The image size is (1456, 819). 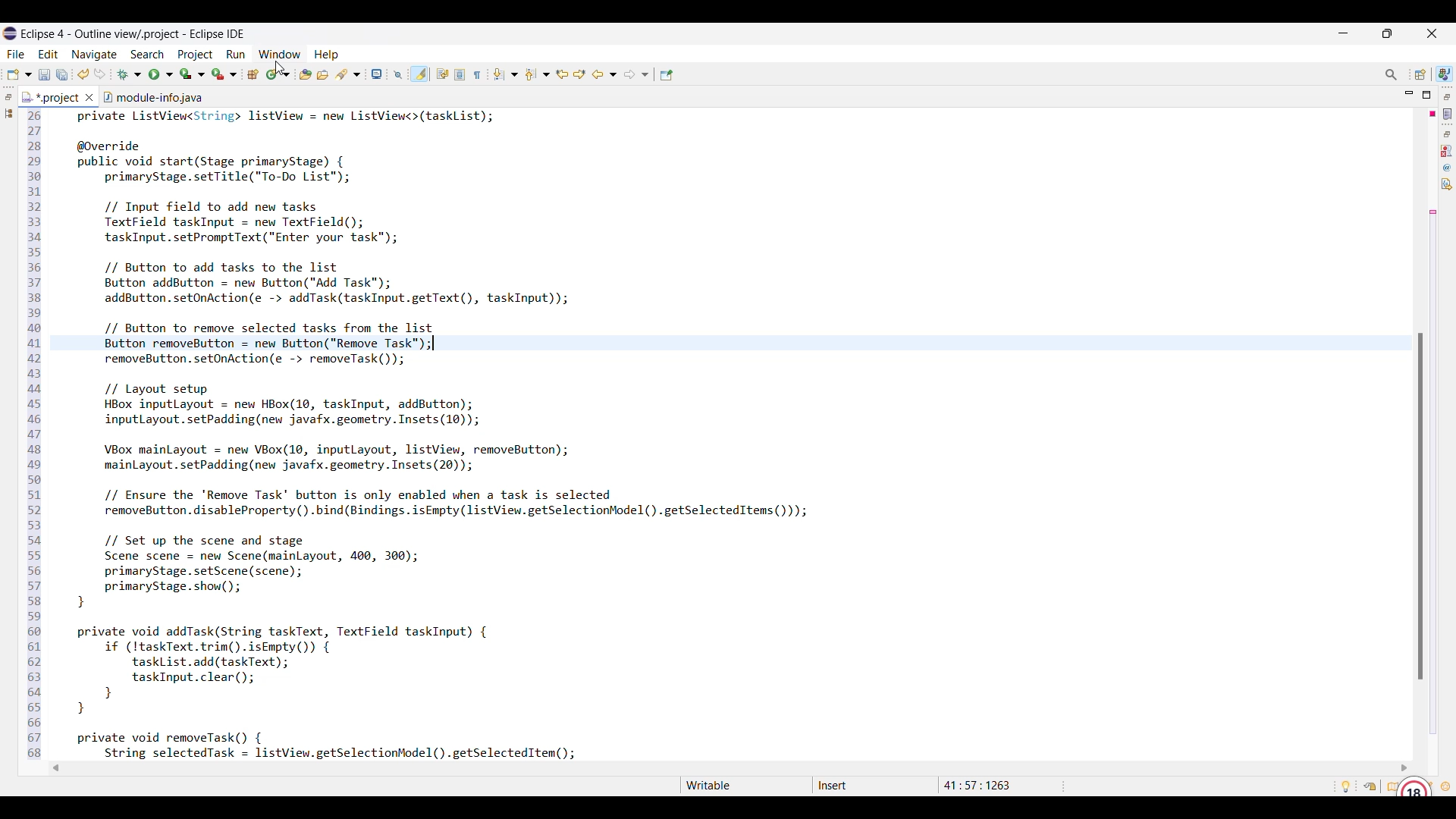 I want to click on Maximize, so click(x=1426, y=95).